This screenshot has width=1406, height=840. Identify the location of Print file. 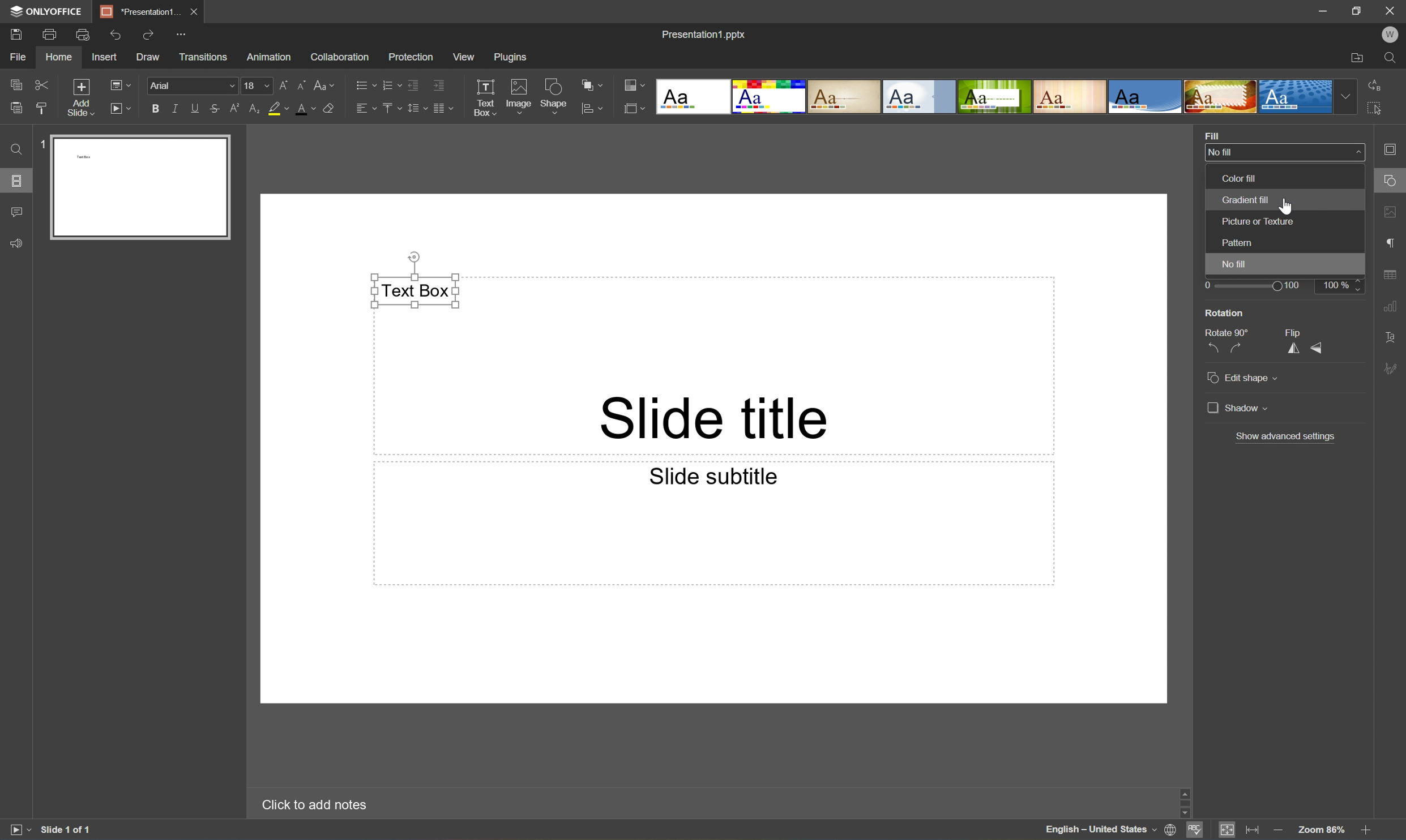
(50, 33).